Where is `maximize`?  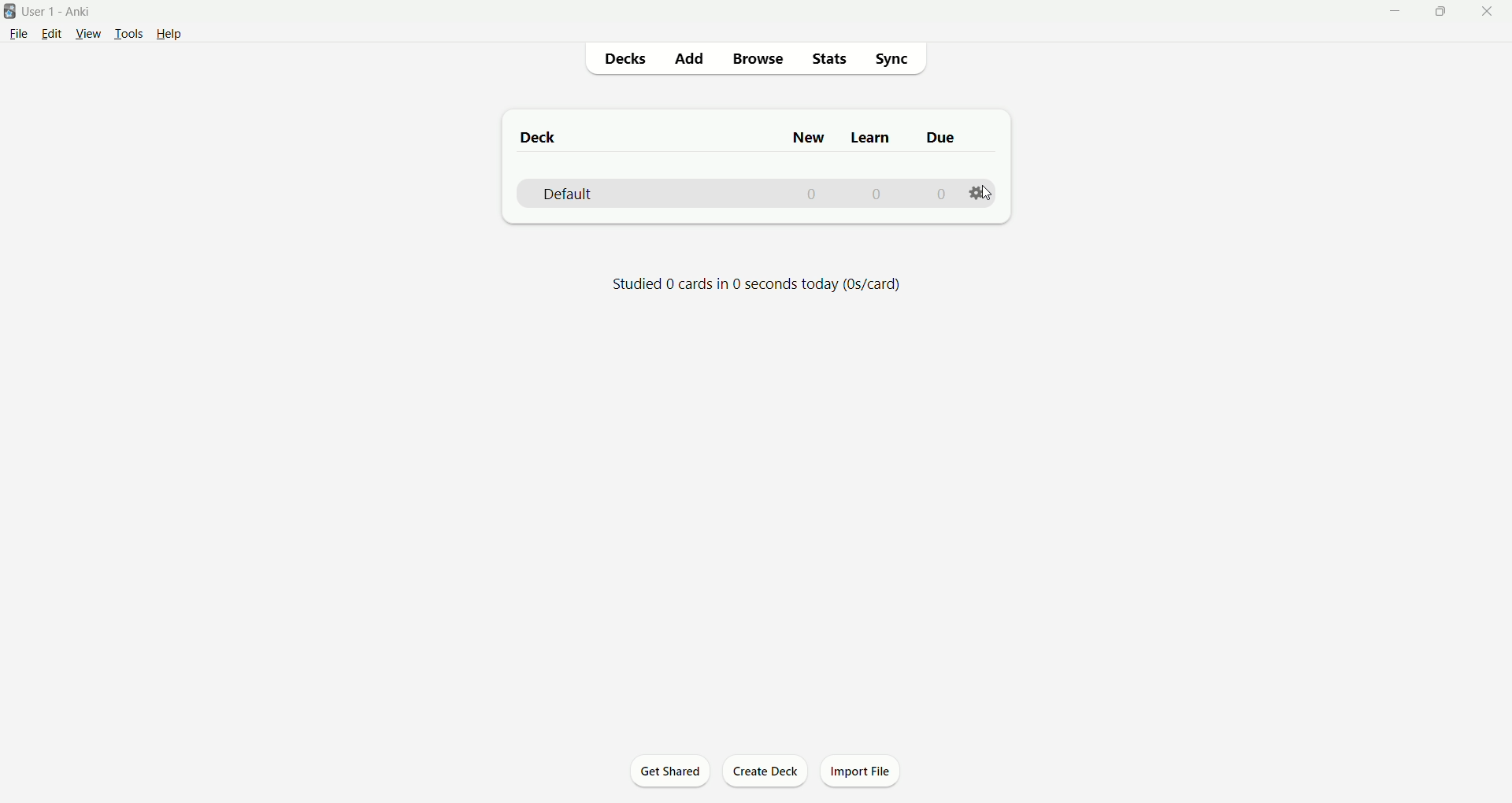
maximize is located at coordinates (1434, 11).